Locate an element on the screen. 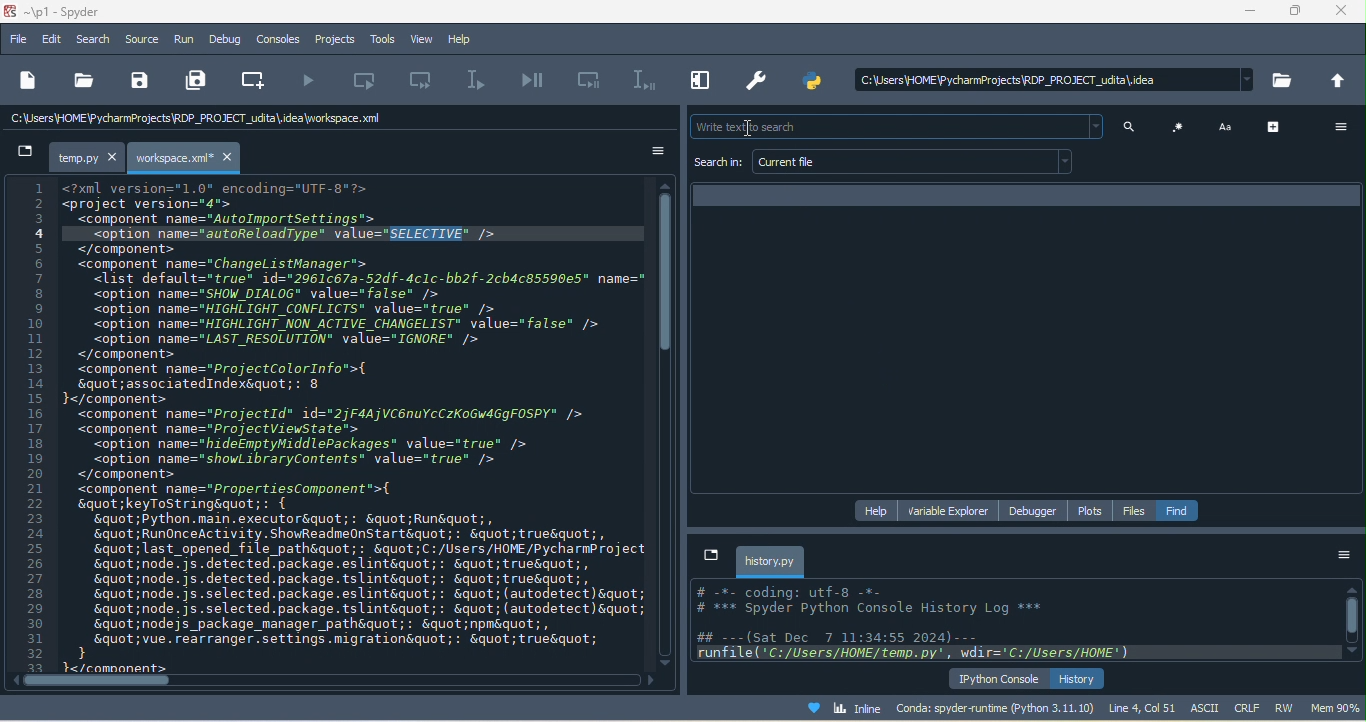  rw is located at coordinates (1284, 707).